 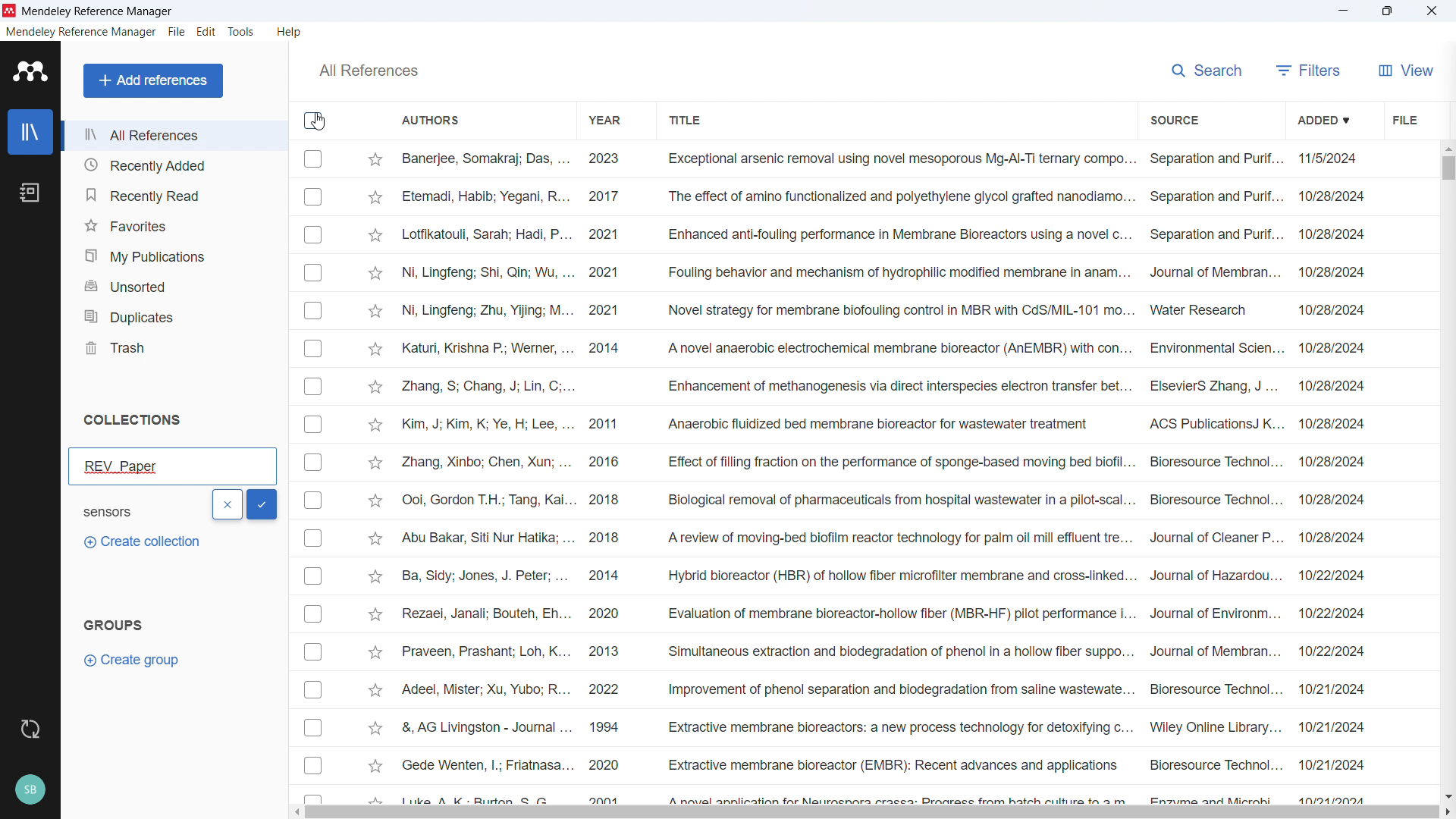 What do you see at coordinates (312, 538) in the screenshot?
I see `Select respective publication` at bounding box center [312, 538].